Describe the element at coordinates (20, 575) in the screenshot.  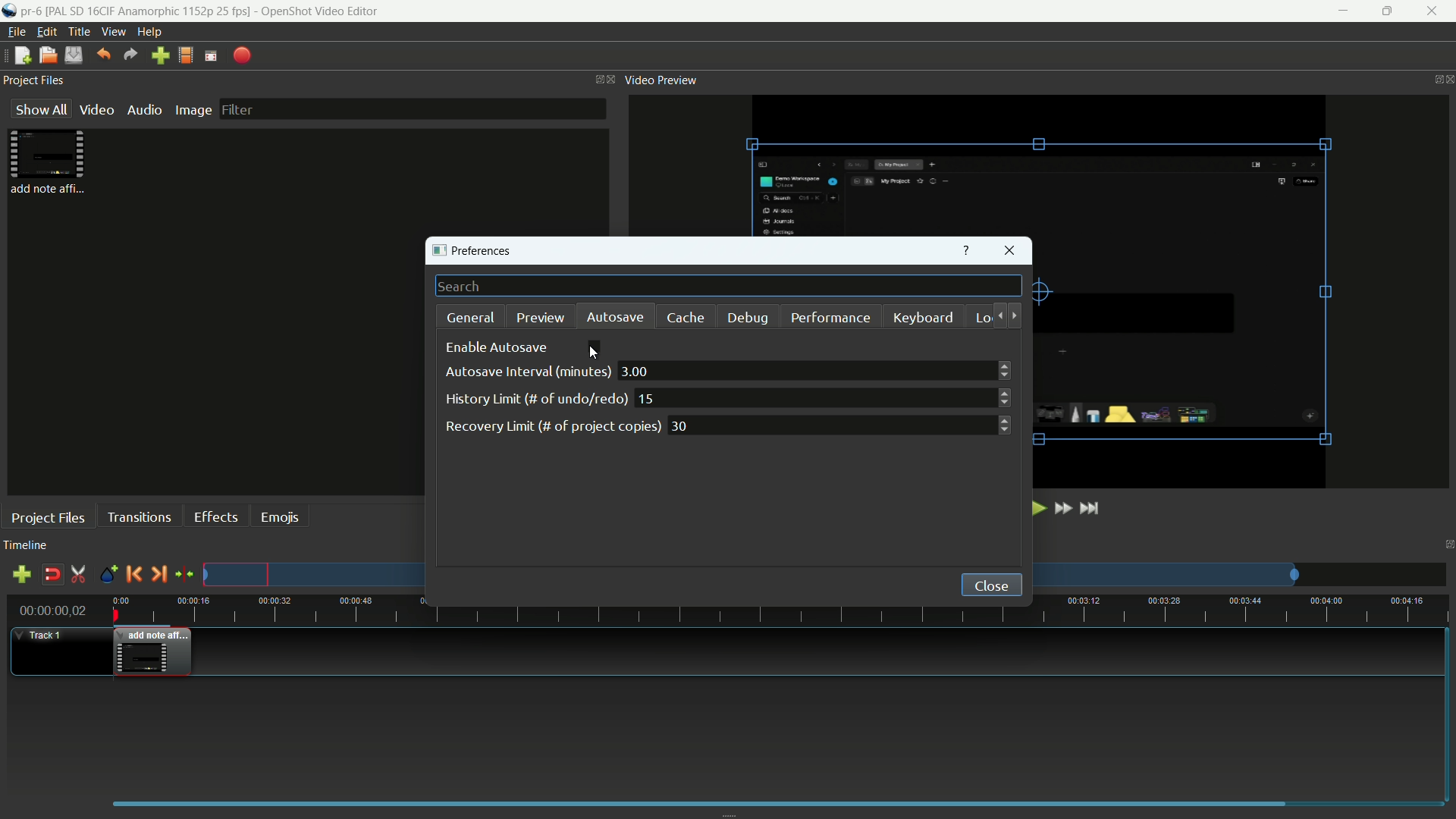
I see `add track` at that location.